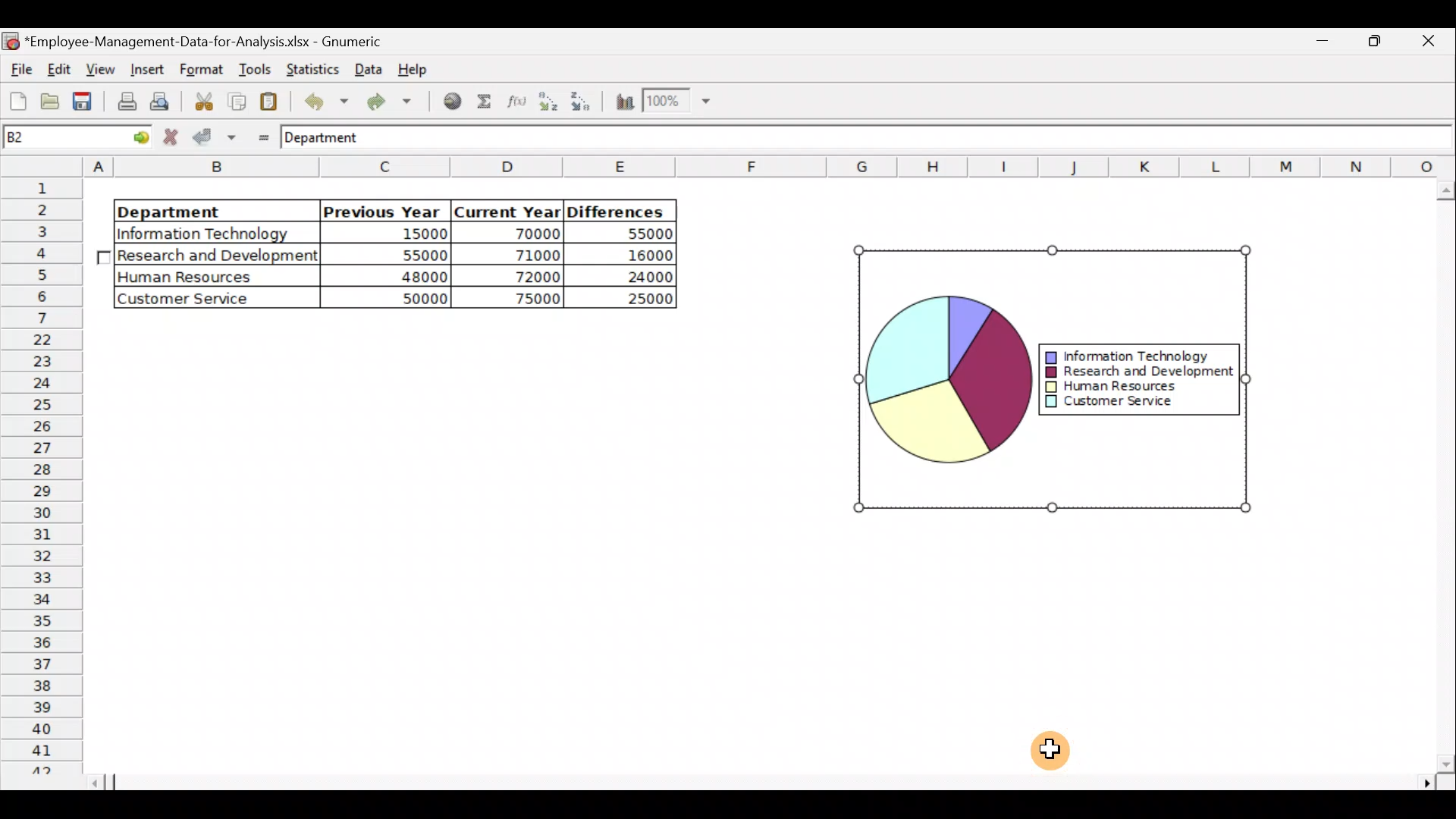  I want to click on 48000, so click(399, 278).